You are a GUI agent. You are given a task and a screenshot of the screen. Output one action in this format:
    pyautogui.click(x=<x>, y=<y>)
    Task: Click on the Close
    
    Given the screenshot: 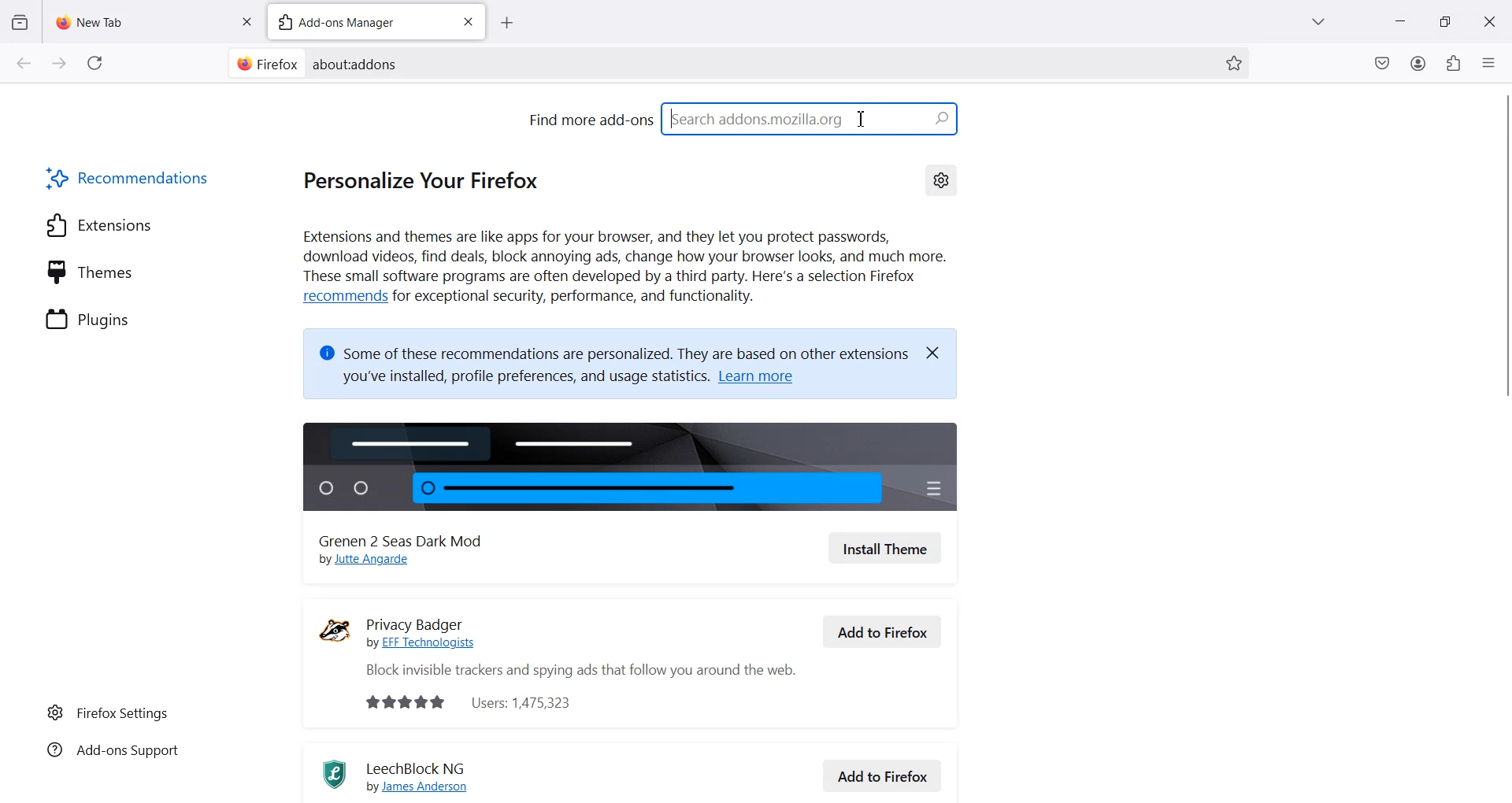 What is the action you would take?
    pyautogui.click(x=939, y=351)
    